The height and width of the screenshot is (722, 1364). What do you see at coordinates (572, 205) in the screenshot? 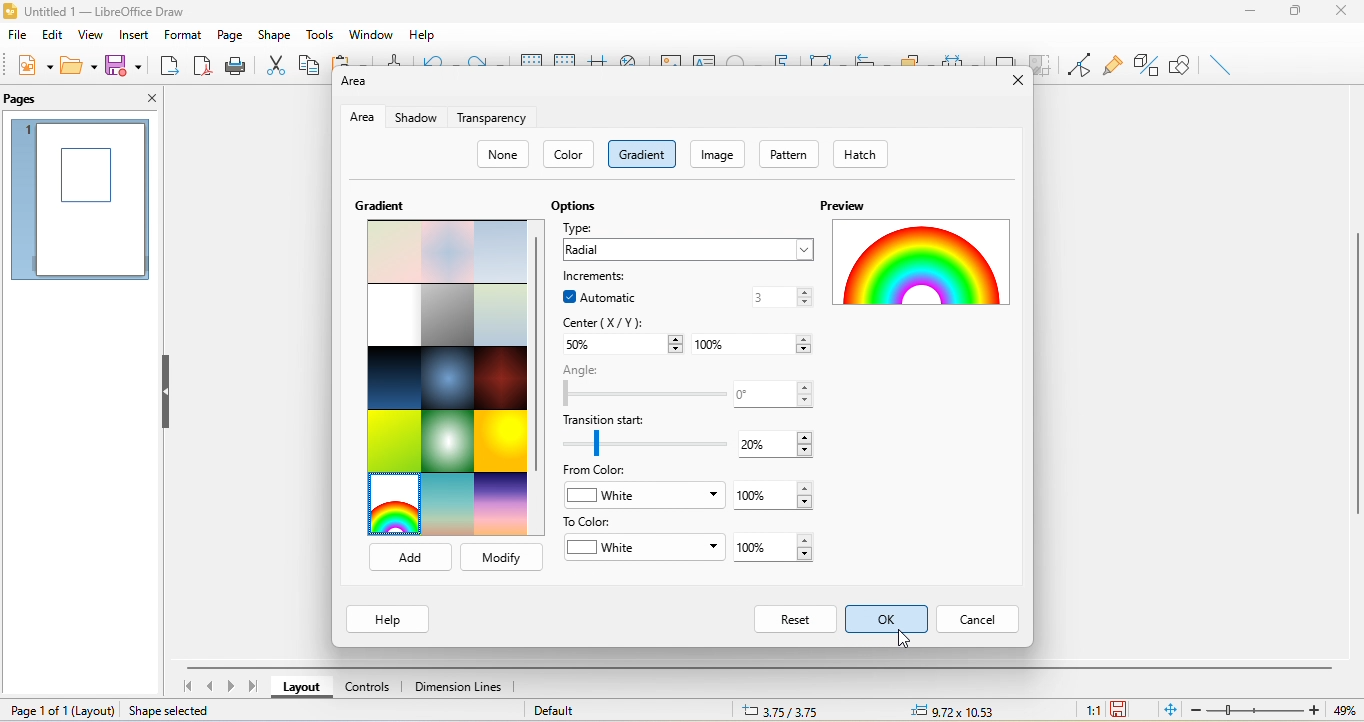
I see `options` at bounding box center [572, 205].